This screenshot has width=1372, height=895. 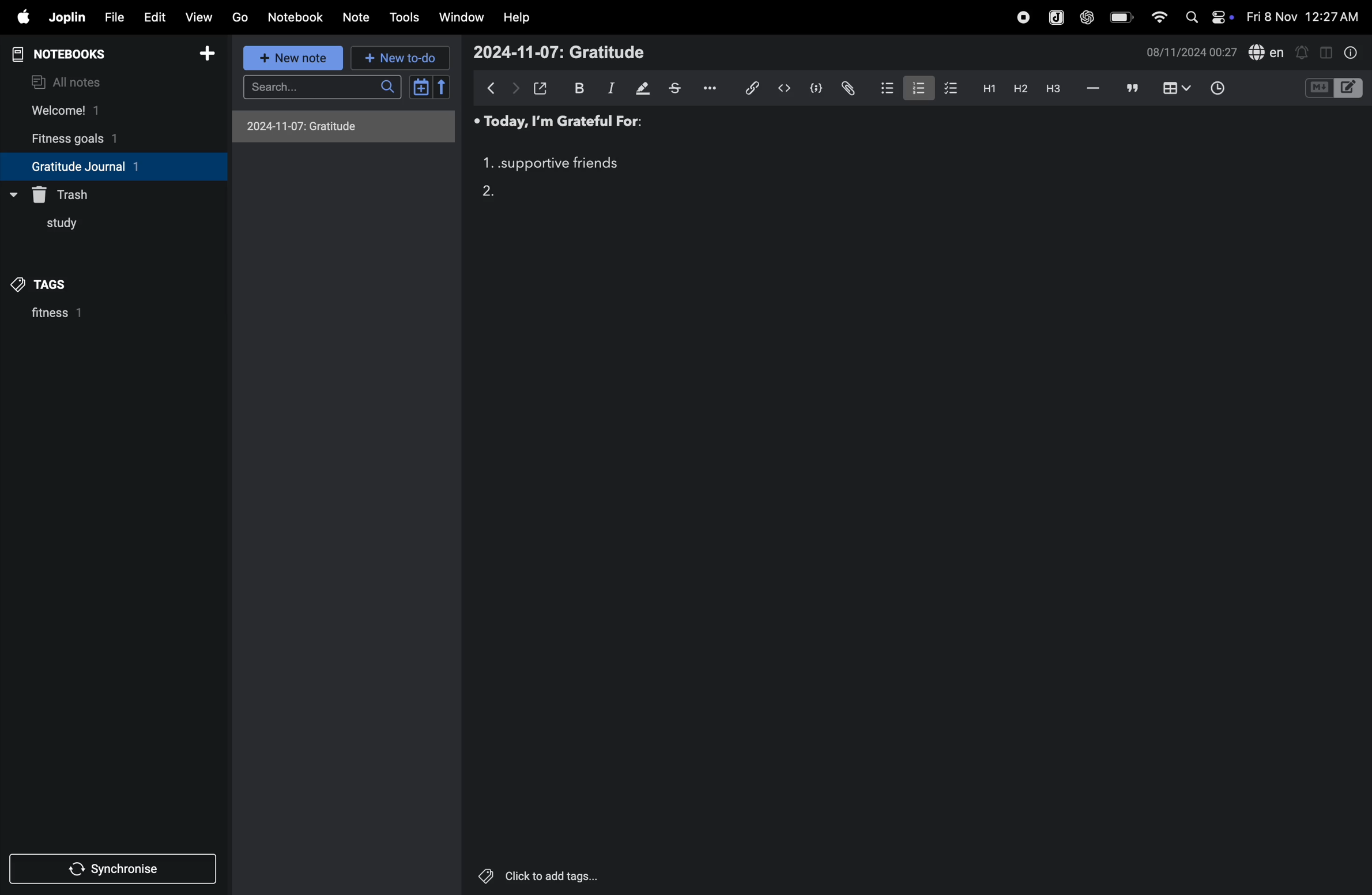 I want to click on info, so click(x=1352, y=54).